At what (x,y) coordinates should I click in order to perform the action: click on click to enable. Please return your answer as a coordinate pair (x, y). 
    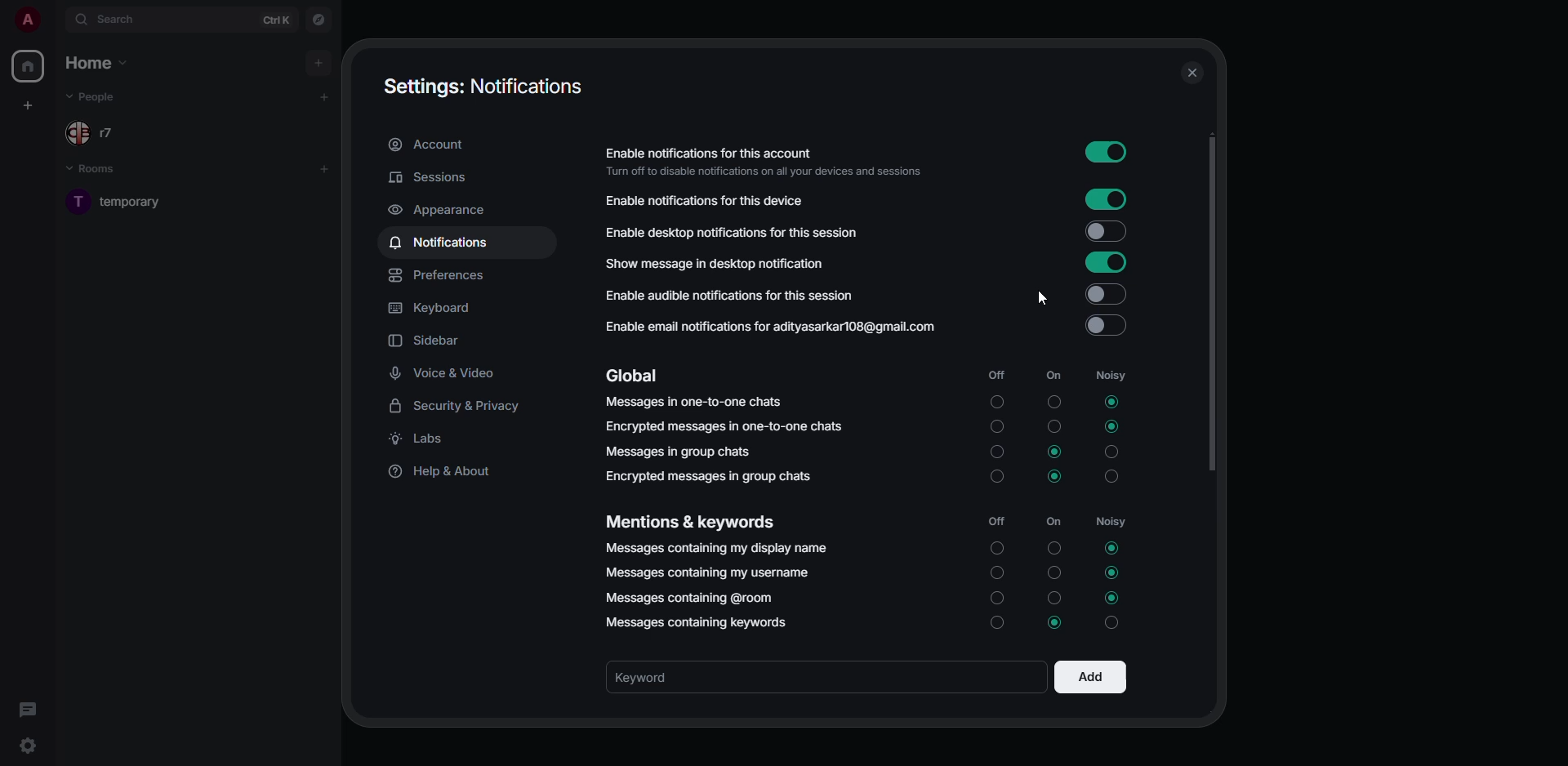
    Looking at the image, I should click on (1109, 323).